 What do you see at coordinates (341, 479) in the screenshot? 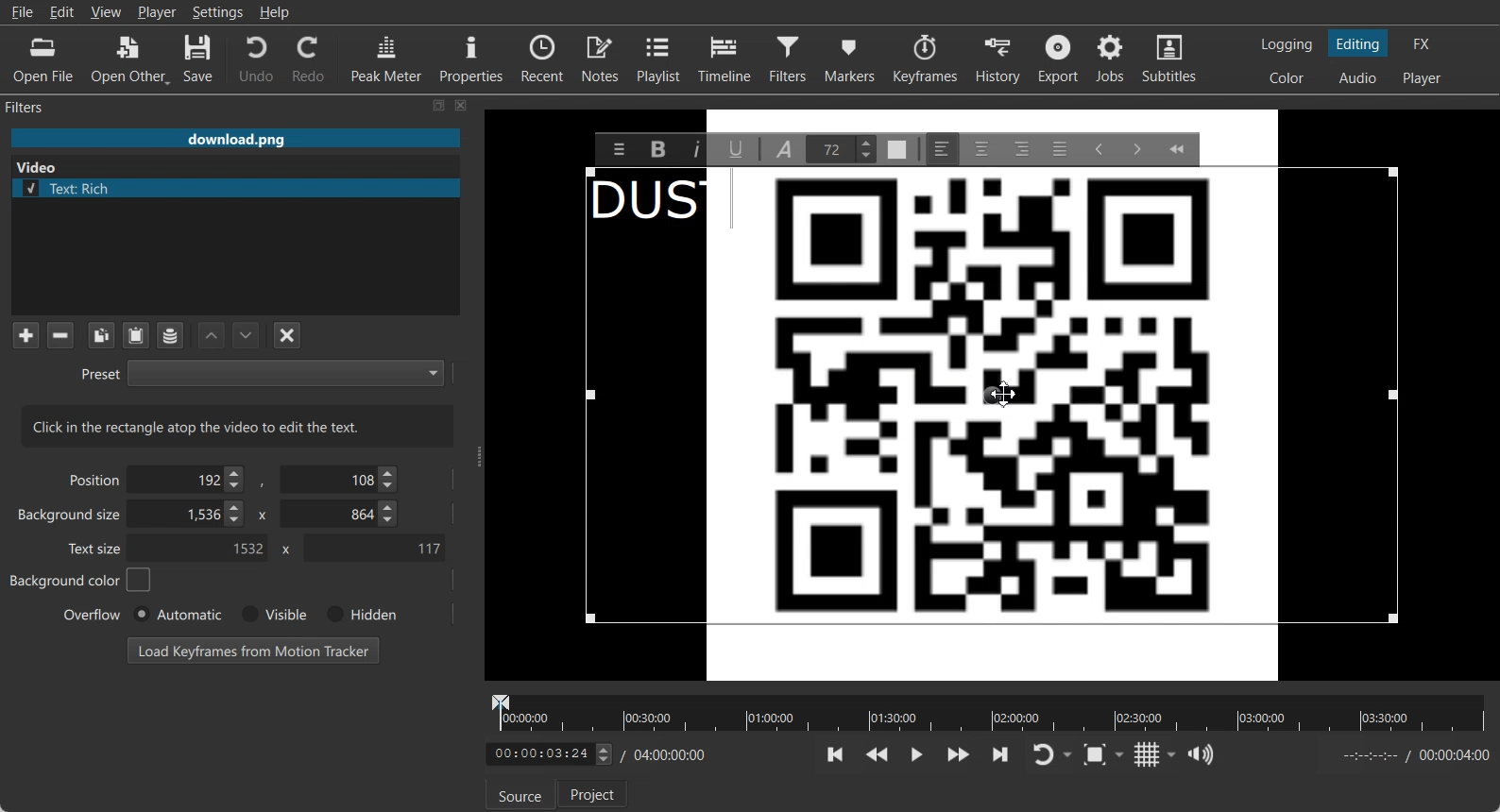
I see `Position Y- Coordinate` at bounding box center [341, 479].